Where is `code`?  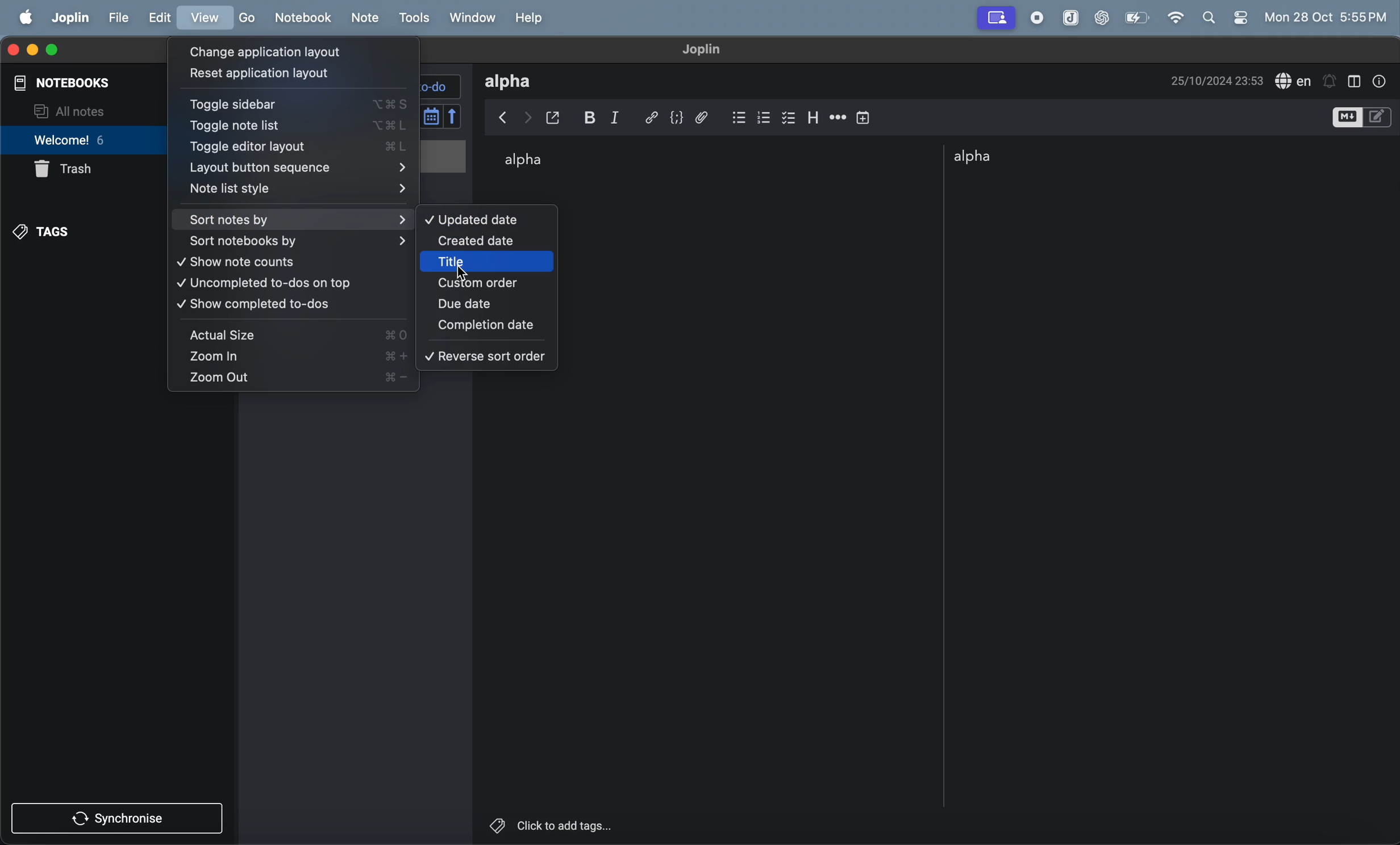 code is located at coordinates (680, 118).